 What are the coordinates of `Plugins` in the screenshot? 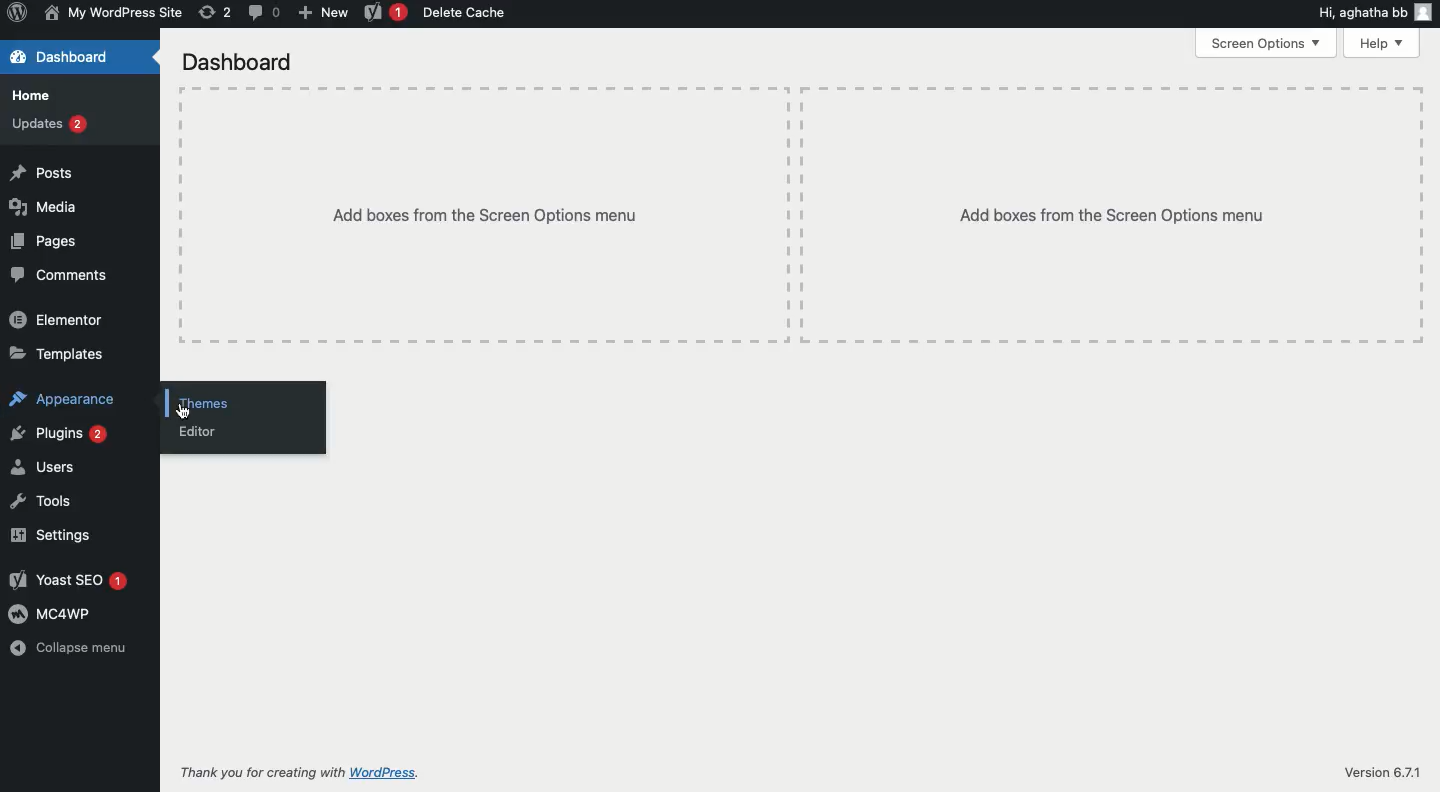 It's located at (62, 436).